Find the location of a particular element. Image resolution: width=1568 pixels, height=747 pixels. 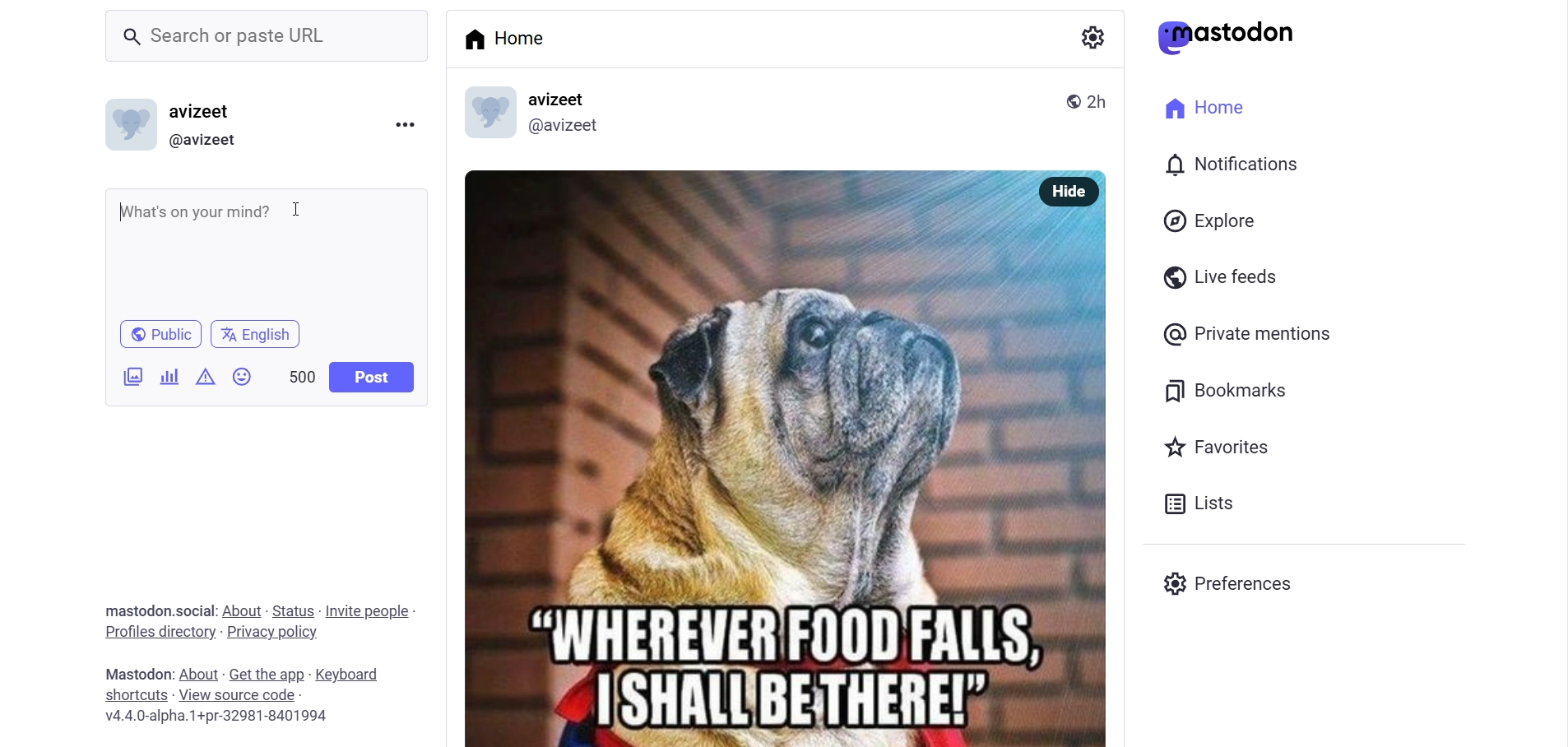

“WHEREVER' FOOD FALLS,7 | SHALLI BE THERE! is located at coordinates (772, 477).